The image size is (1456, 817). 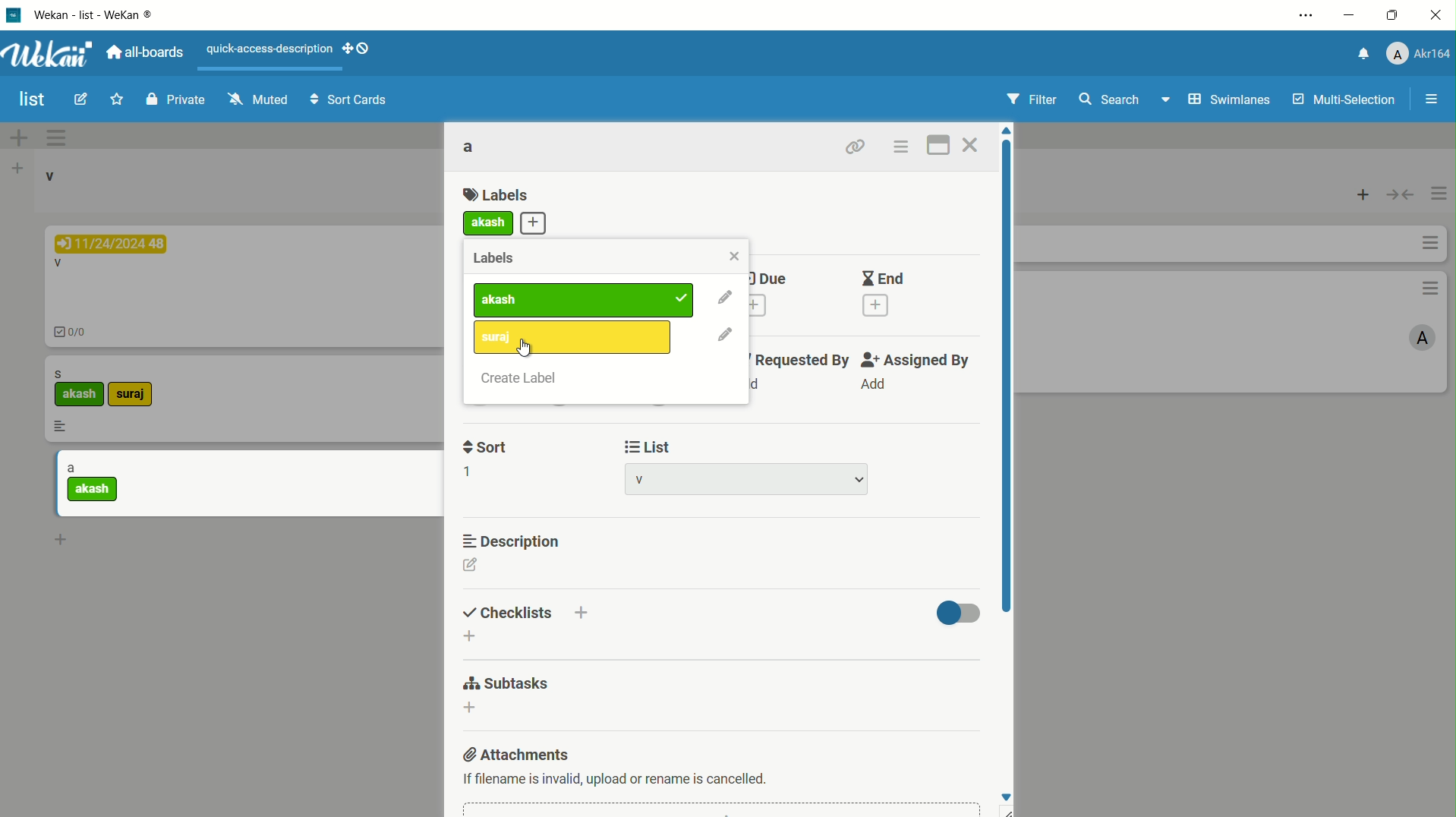 I want to click on more, so click(x=64, y=426).